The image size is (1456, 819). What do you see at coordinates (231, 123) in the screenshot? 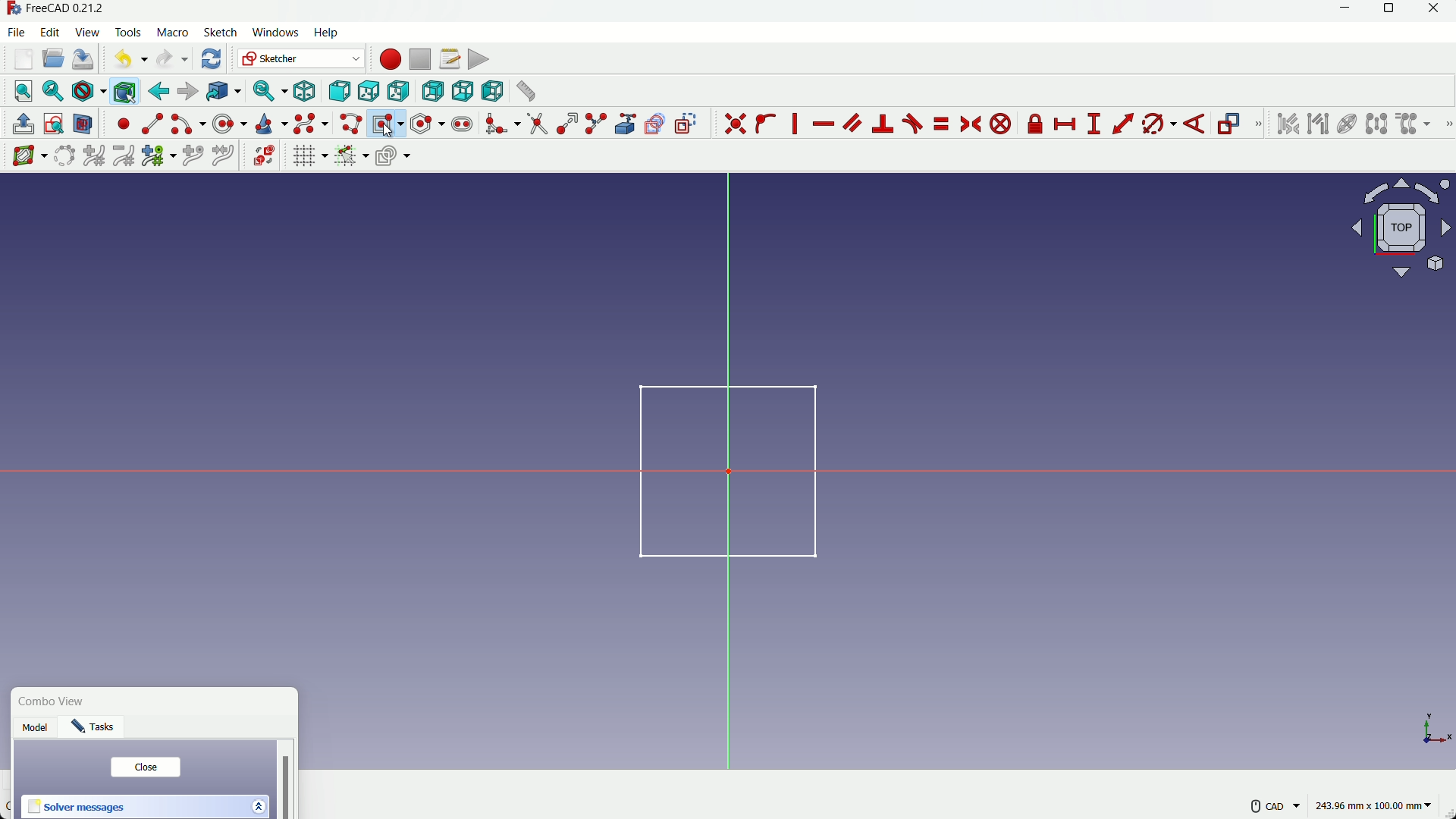
I see `create circle` at bounding box center [231, 123].